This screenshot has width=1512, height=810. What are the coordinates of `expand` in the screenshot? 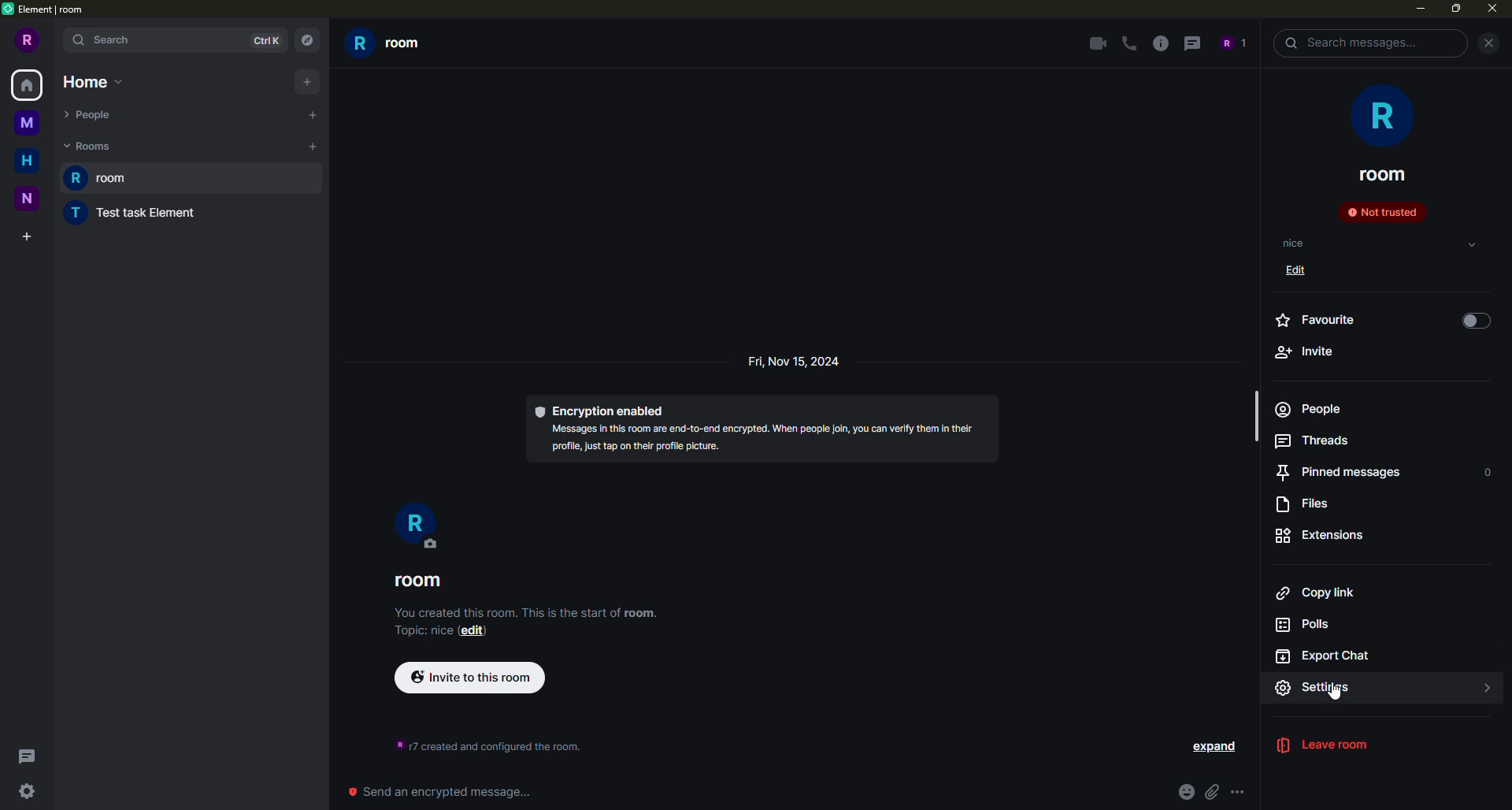 It's located at (1485, 688).